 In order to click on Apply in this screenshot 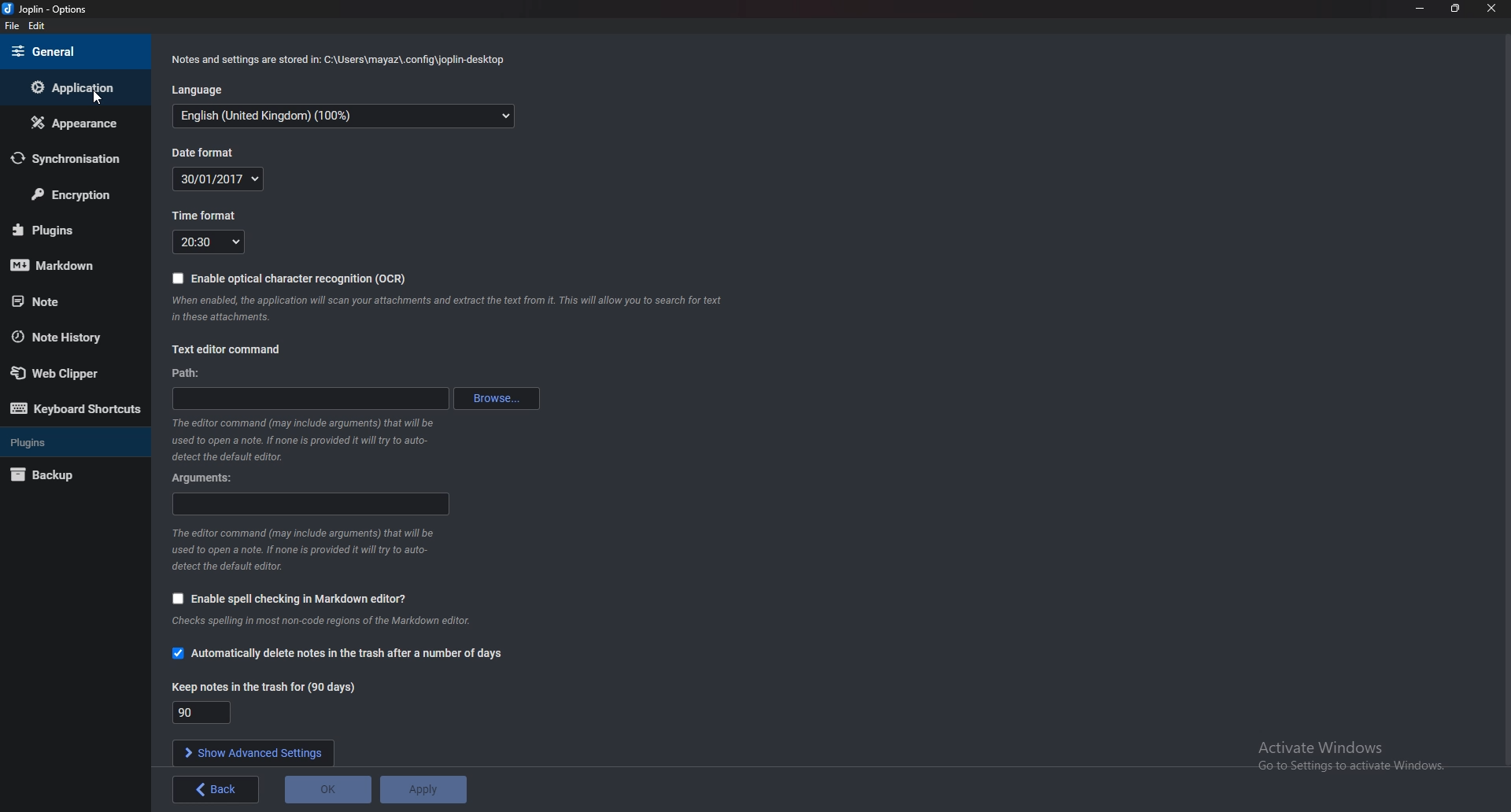, I will do `click(423, 789)`.